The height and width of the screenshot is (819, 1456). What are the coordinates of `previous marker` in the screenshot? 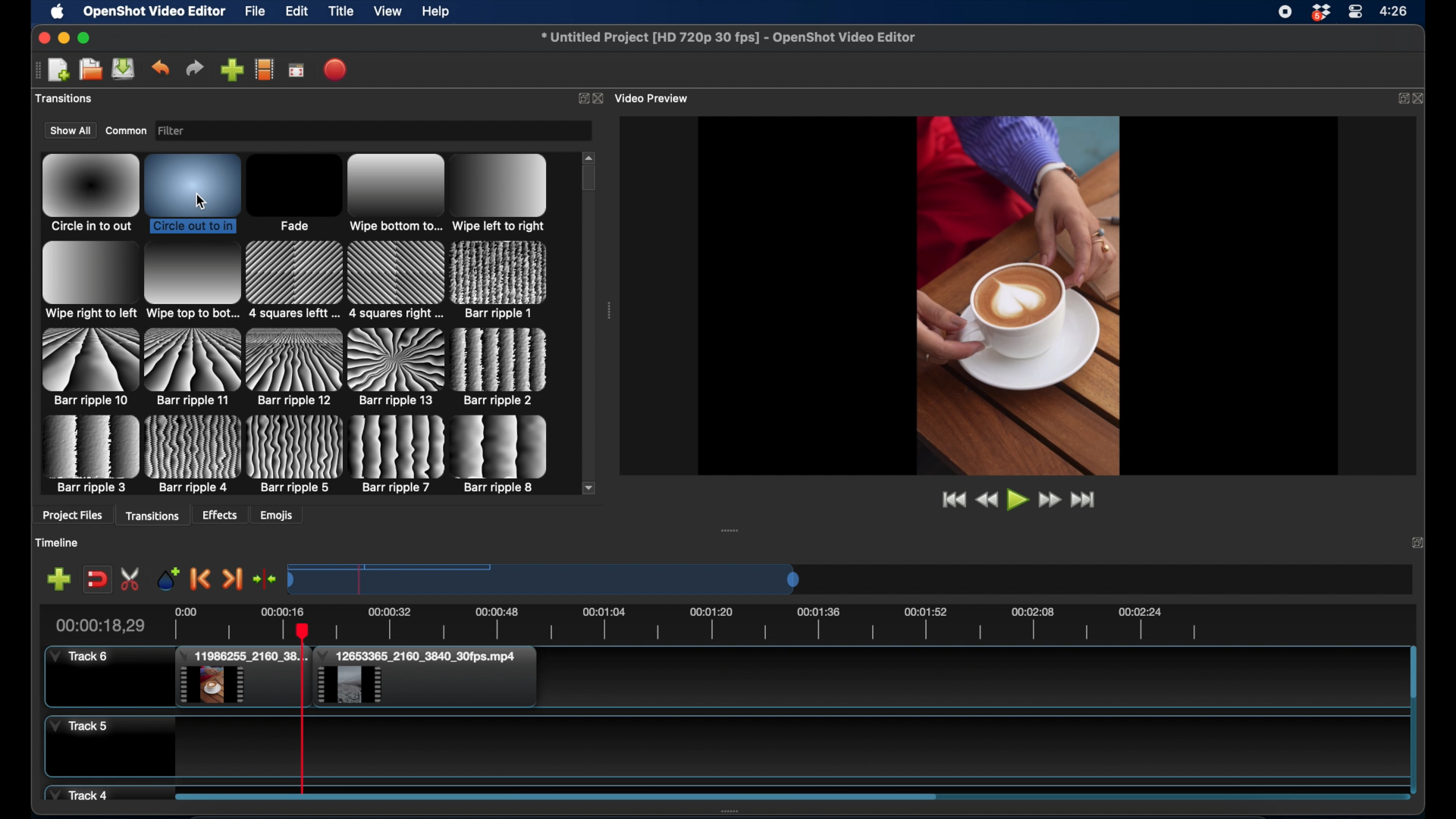 It's located at (202, 580).